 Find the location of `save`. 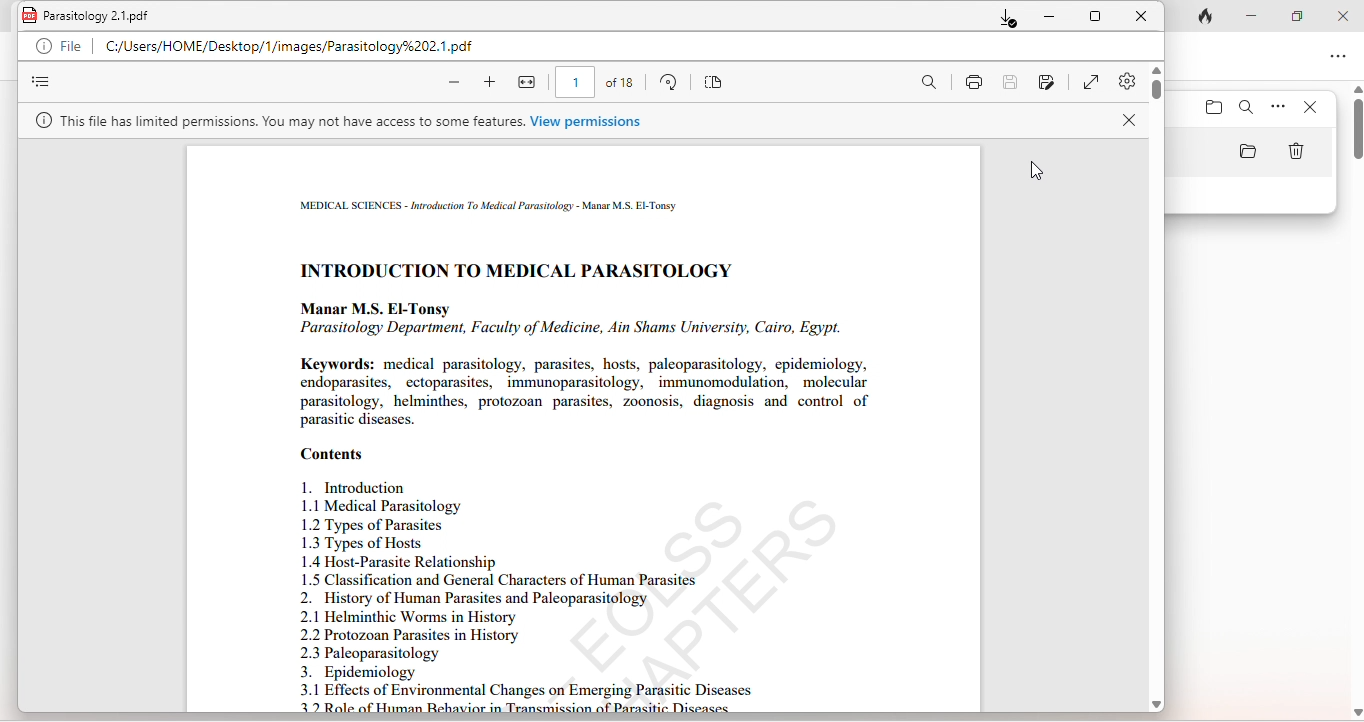

save is located at coordinates (1013, 83).